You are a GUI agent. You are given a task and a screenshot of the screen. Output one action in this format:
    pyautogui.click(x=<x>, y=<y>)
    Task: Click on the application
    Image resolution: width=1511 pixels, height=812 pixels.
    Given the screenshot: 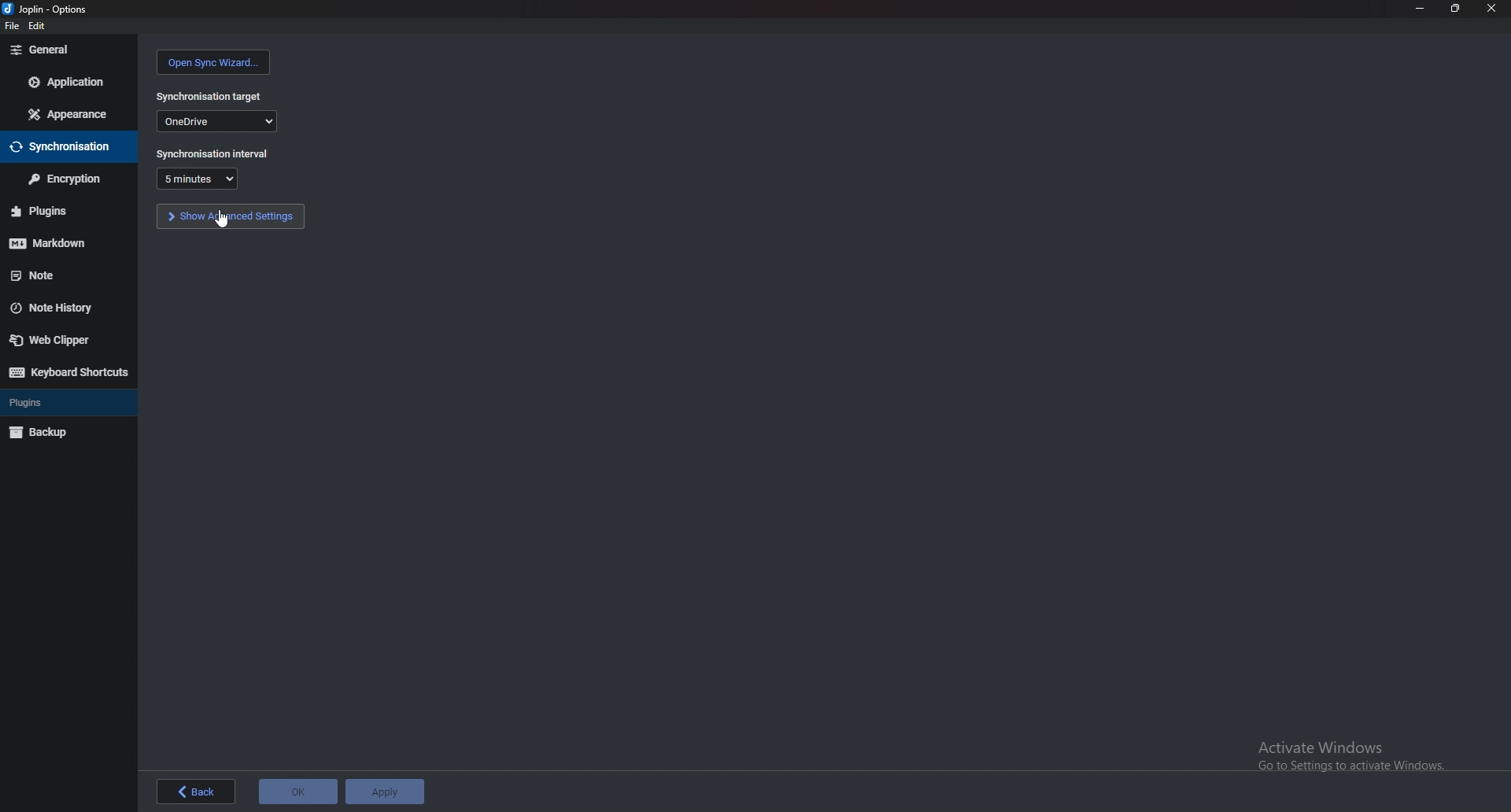 What is the action you would take?
    pyautogui.click(x=69, y=80)
    